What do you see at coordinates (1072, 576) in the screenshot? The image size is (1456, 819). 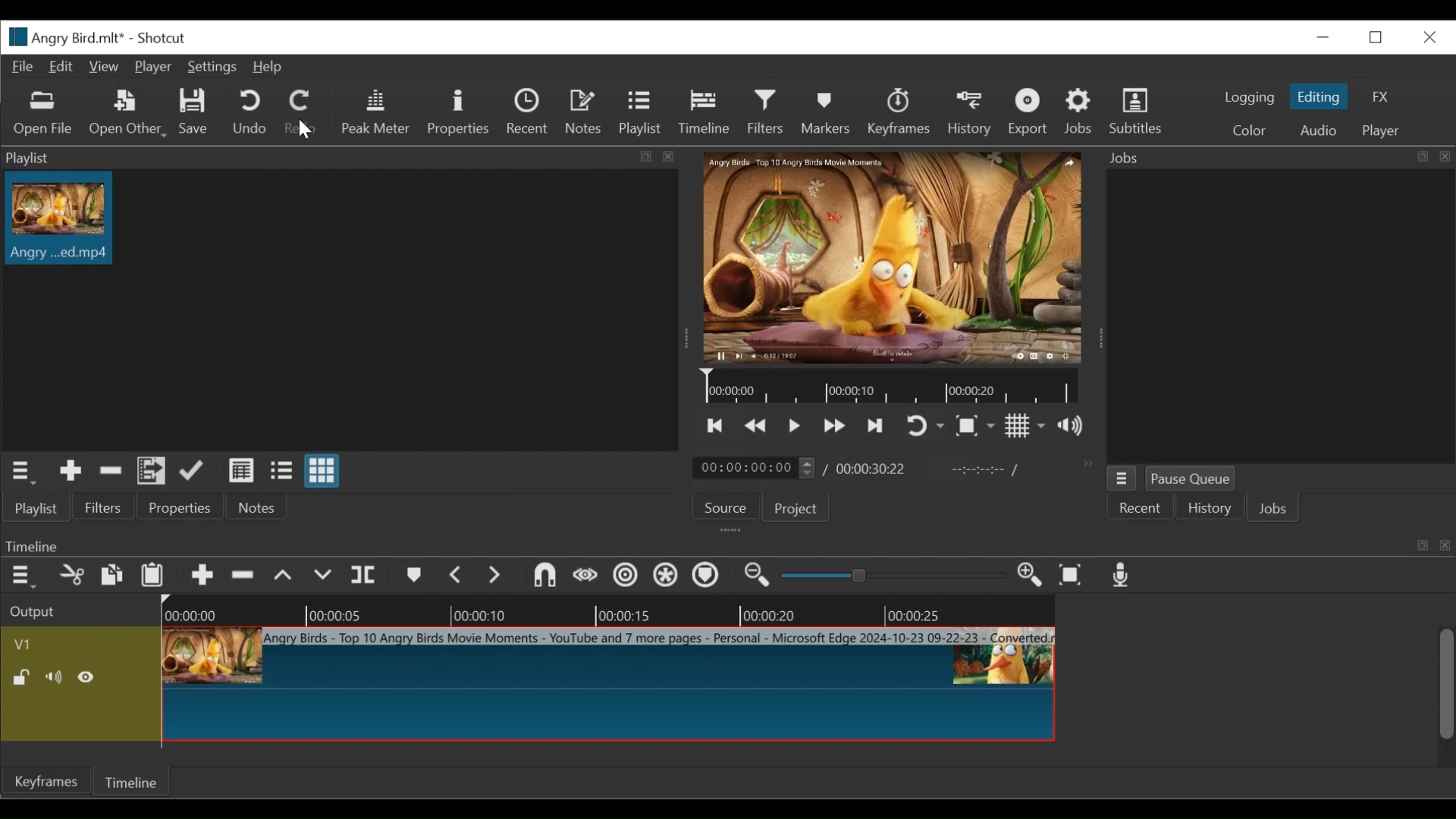 I see `Zoom timeline to fit` at bounding box center [1072, 576].